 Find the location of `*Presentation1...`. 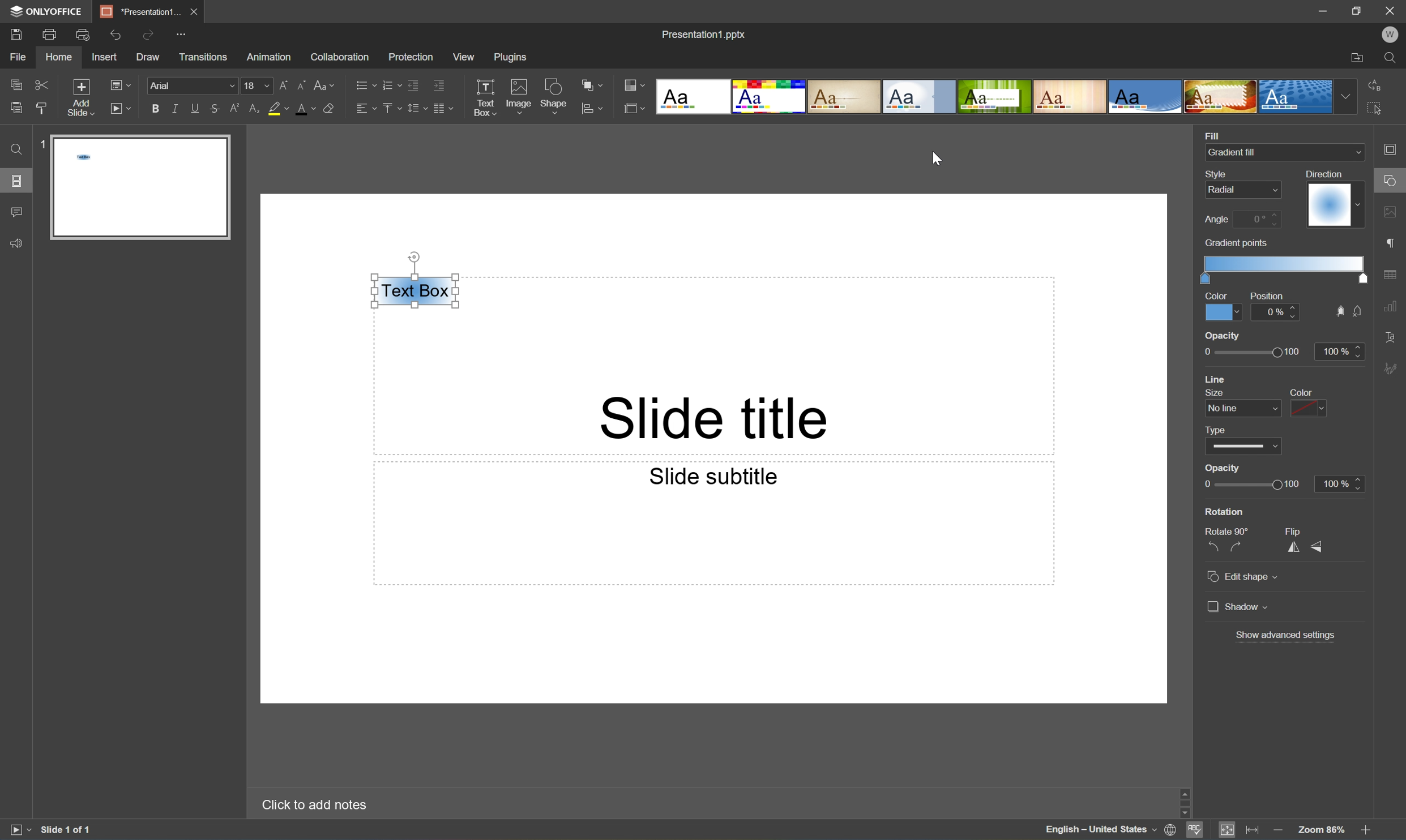

*Presentation1... is located at coordinates (140, 12).